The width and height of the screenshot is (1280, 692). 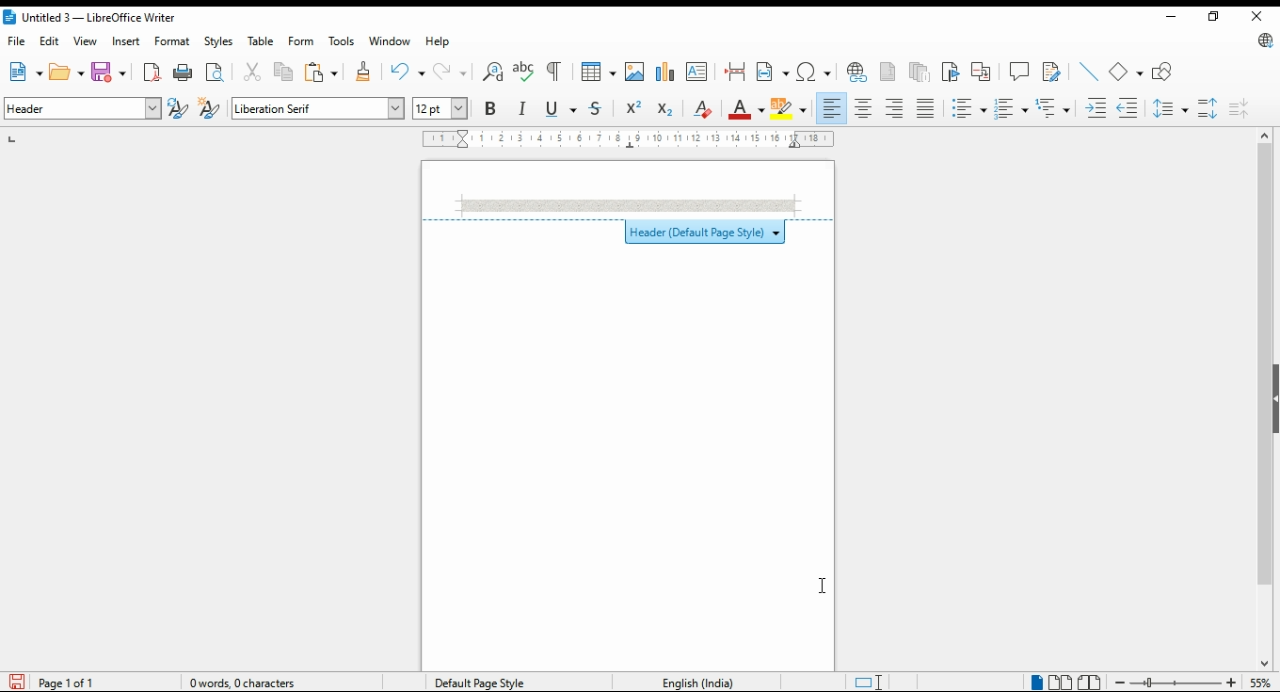 I want to click on scroll bar, so click(x=1264, y=399).